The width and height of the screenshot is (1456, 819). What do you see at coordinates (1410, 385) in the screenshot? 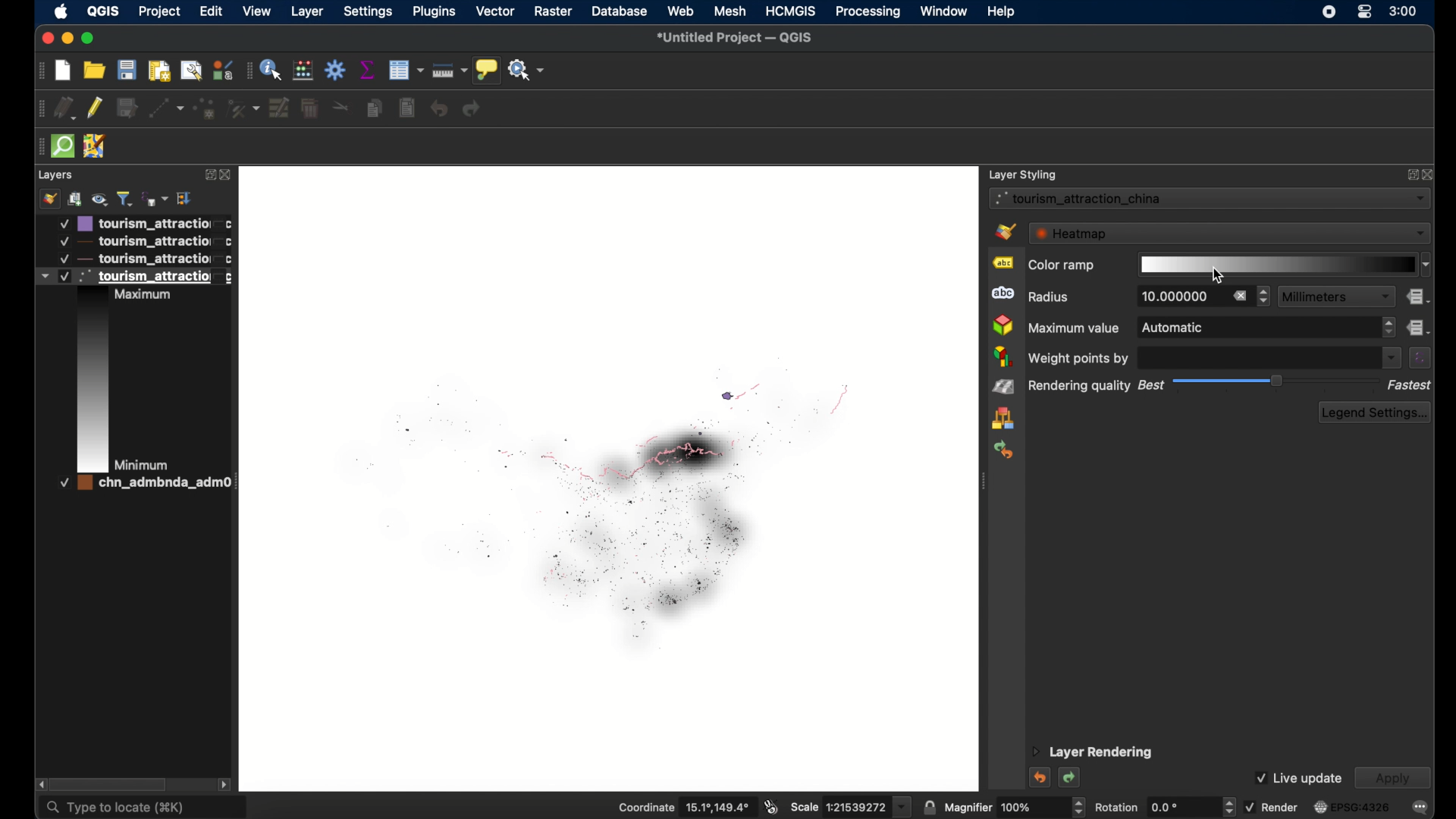
I see `fastest` at bounding box center [1410, 385].